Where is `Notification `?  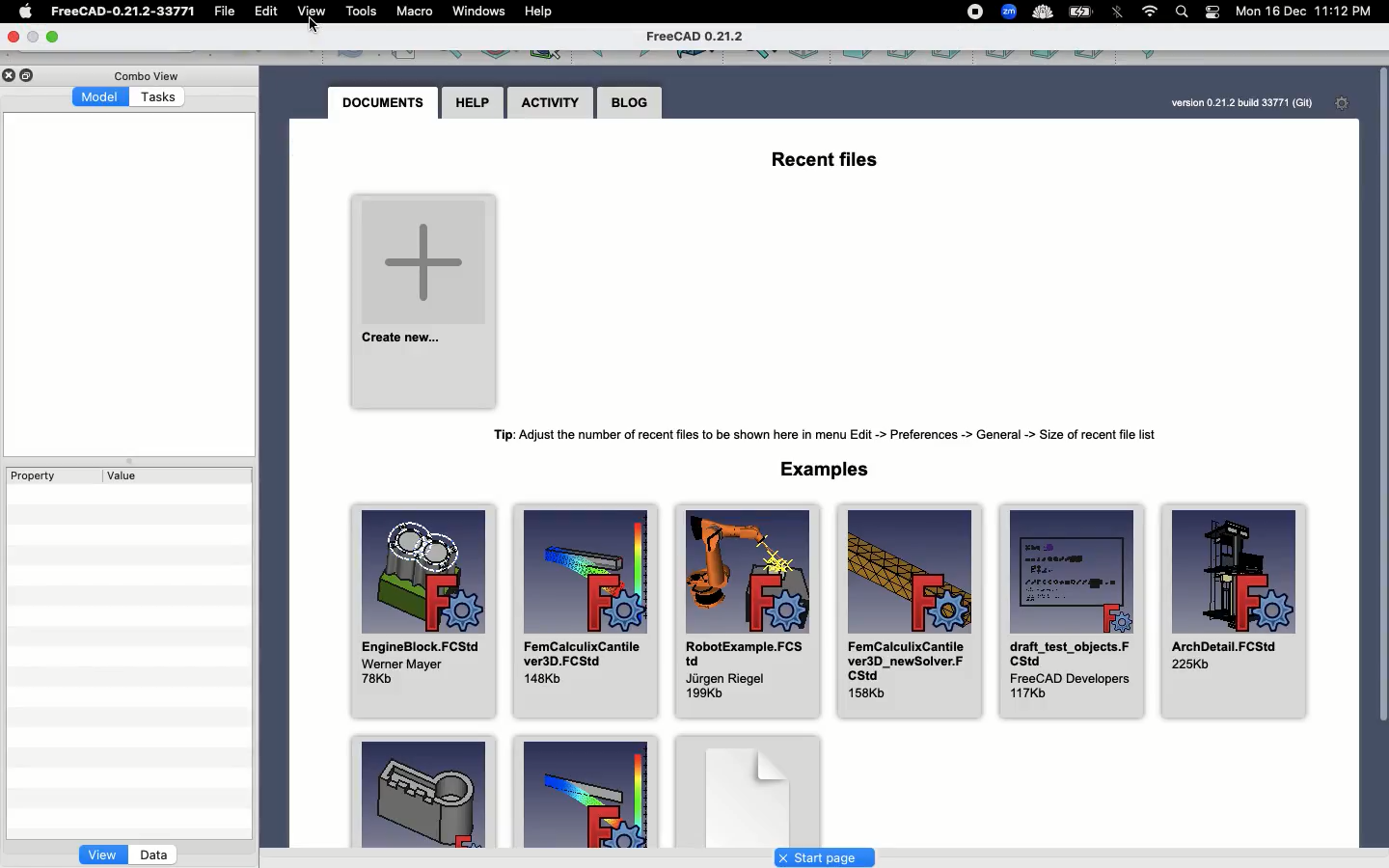
Notification  is located at coordinates (1213, 15).